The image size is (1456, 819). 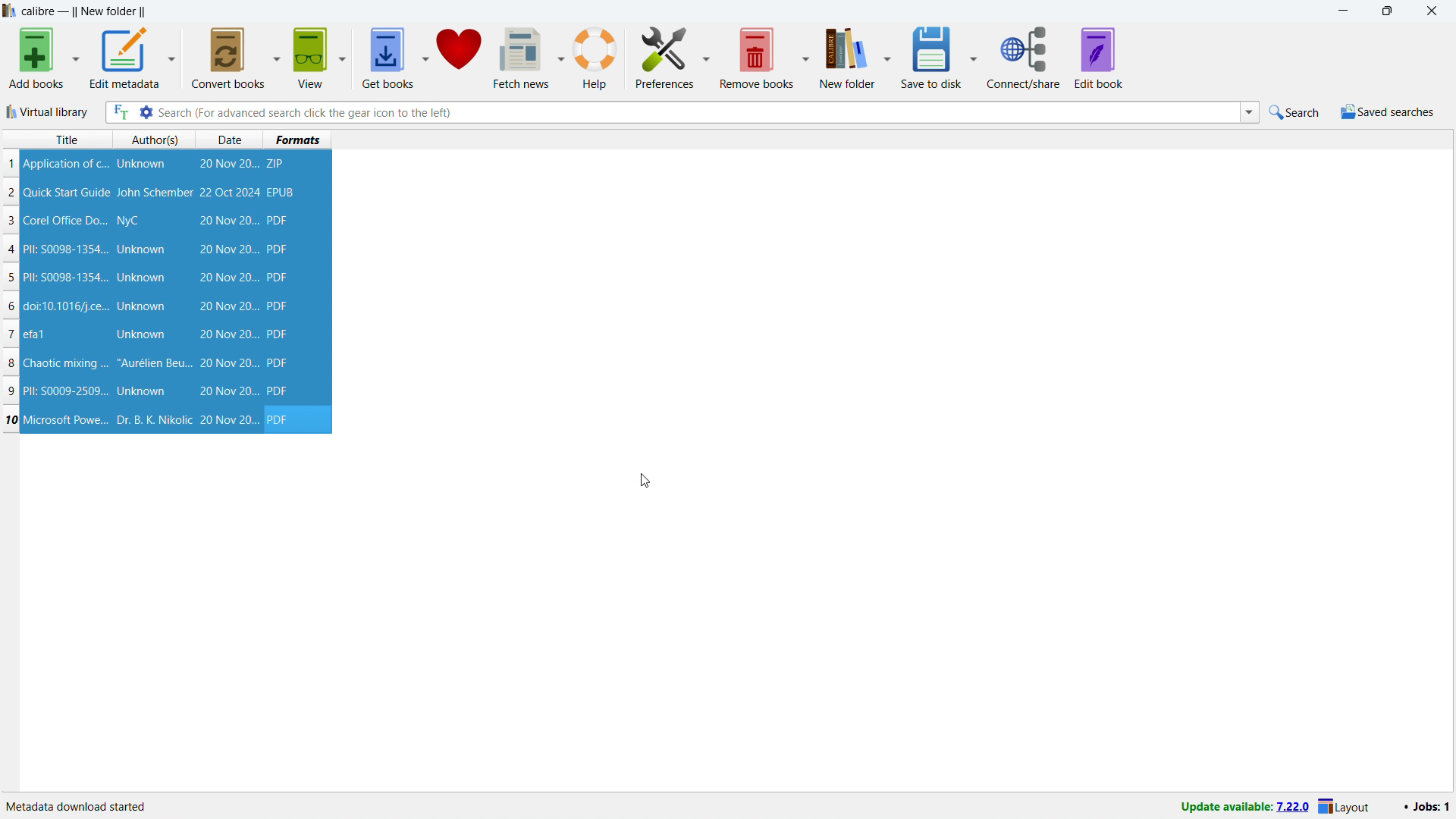 What do you see at coordinates (1296, 111) in the screenshot?
I see `search` at bounding box center [1296, 111].